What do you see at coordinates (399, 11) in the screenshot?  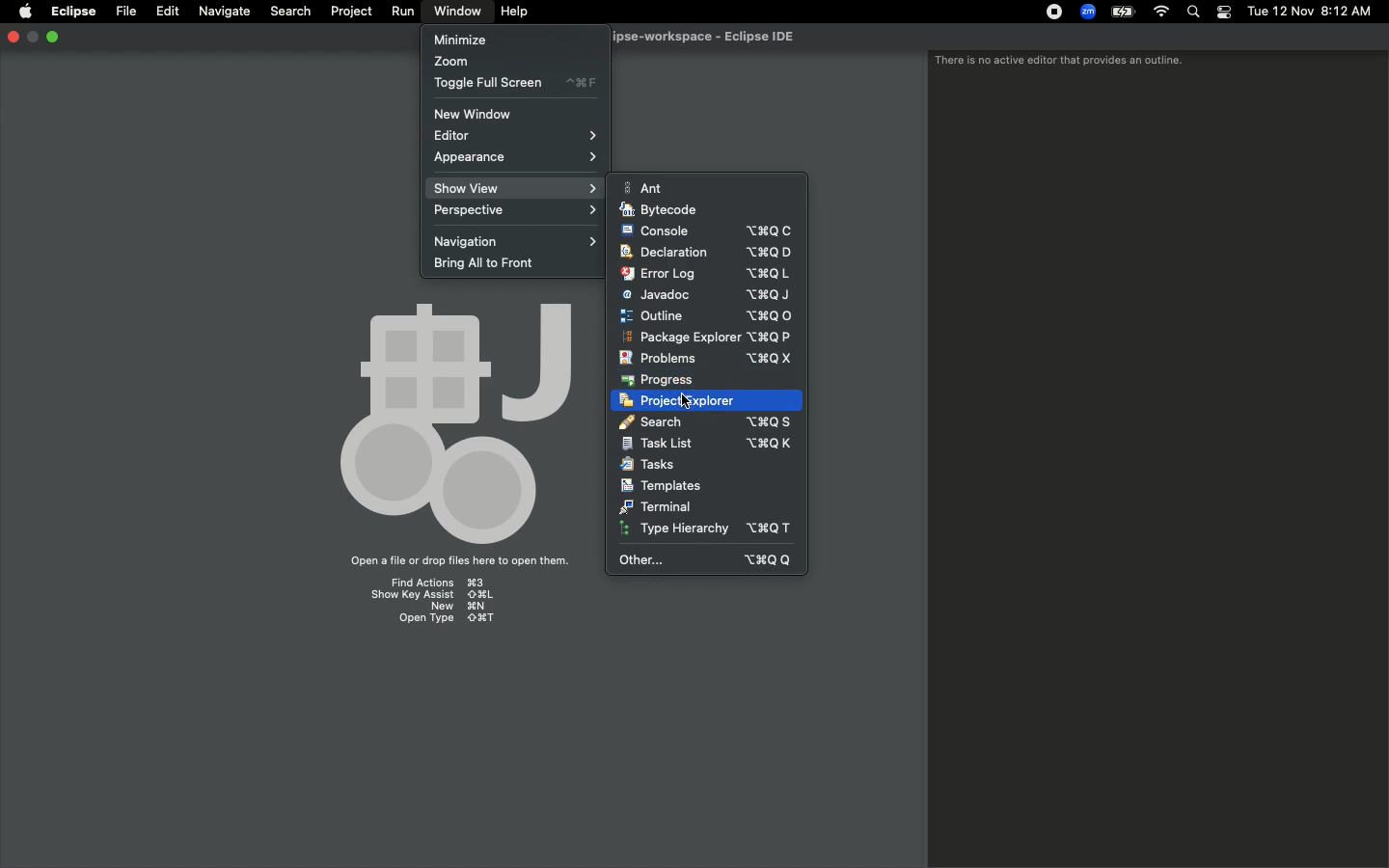 I see `Run` at bounding box center [399, 11].